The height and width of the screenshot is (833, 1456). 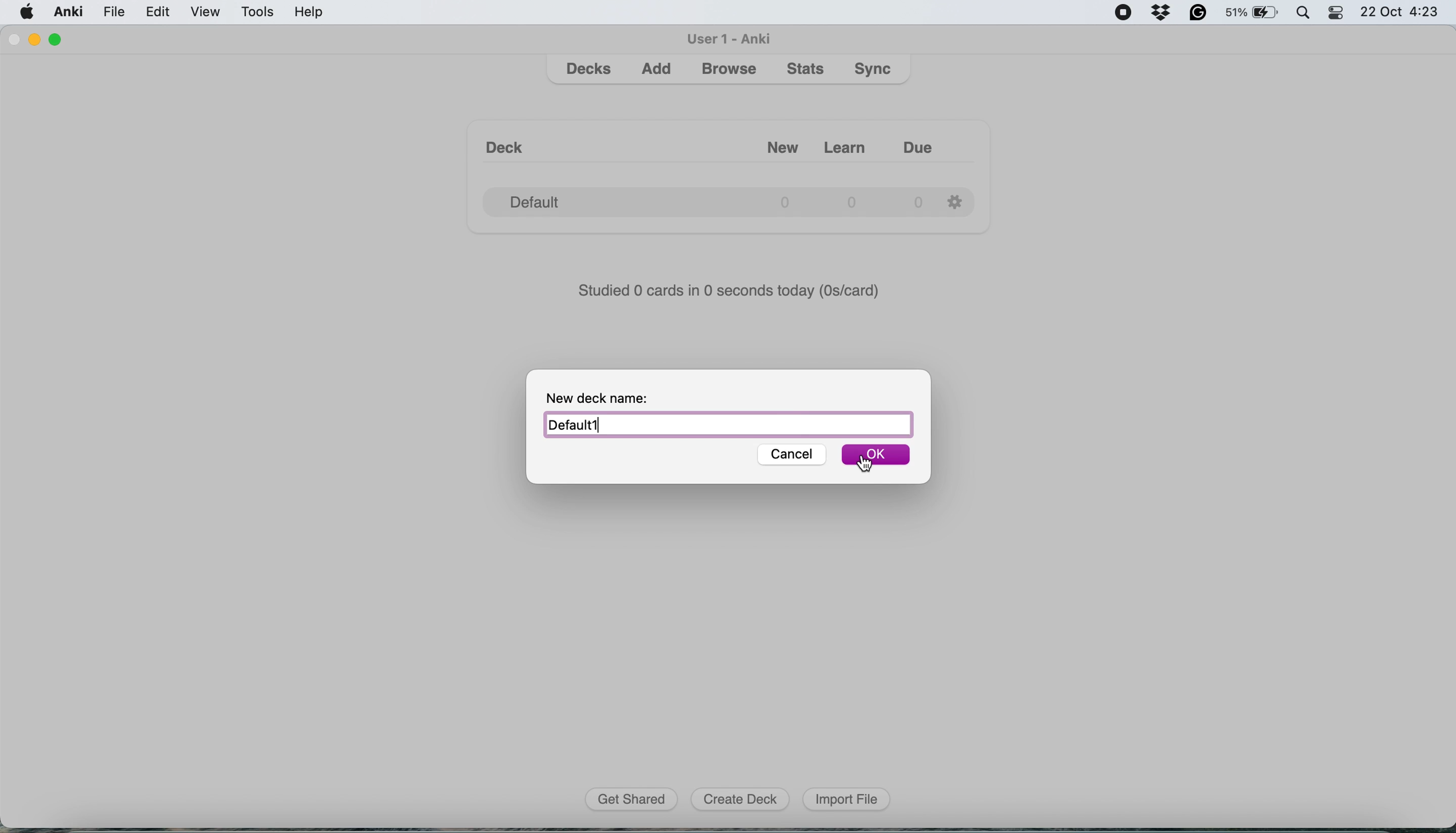 What do you see at coordinates (1304, 15) in the screenshot?
I see `spotlight search` at bounding box center [1304, 15].